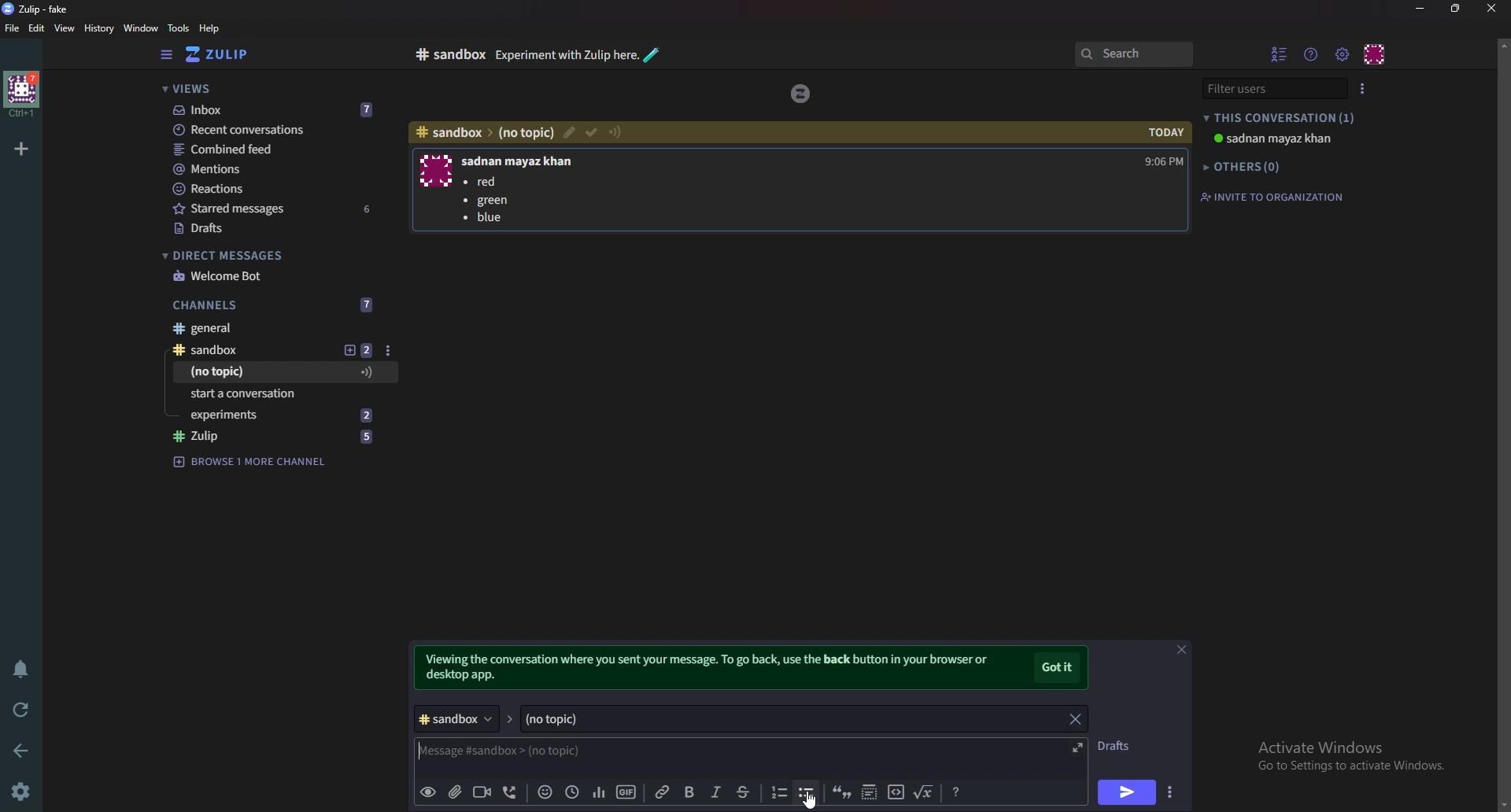  What do you see at coordinates (617, 133) in the screenshot?
I see `Configure topic notifications` at bounding box center [617, 133].